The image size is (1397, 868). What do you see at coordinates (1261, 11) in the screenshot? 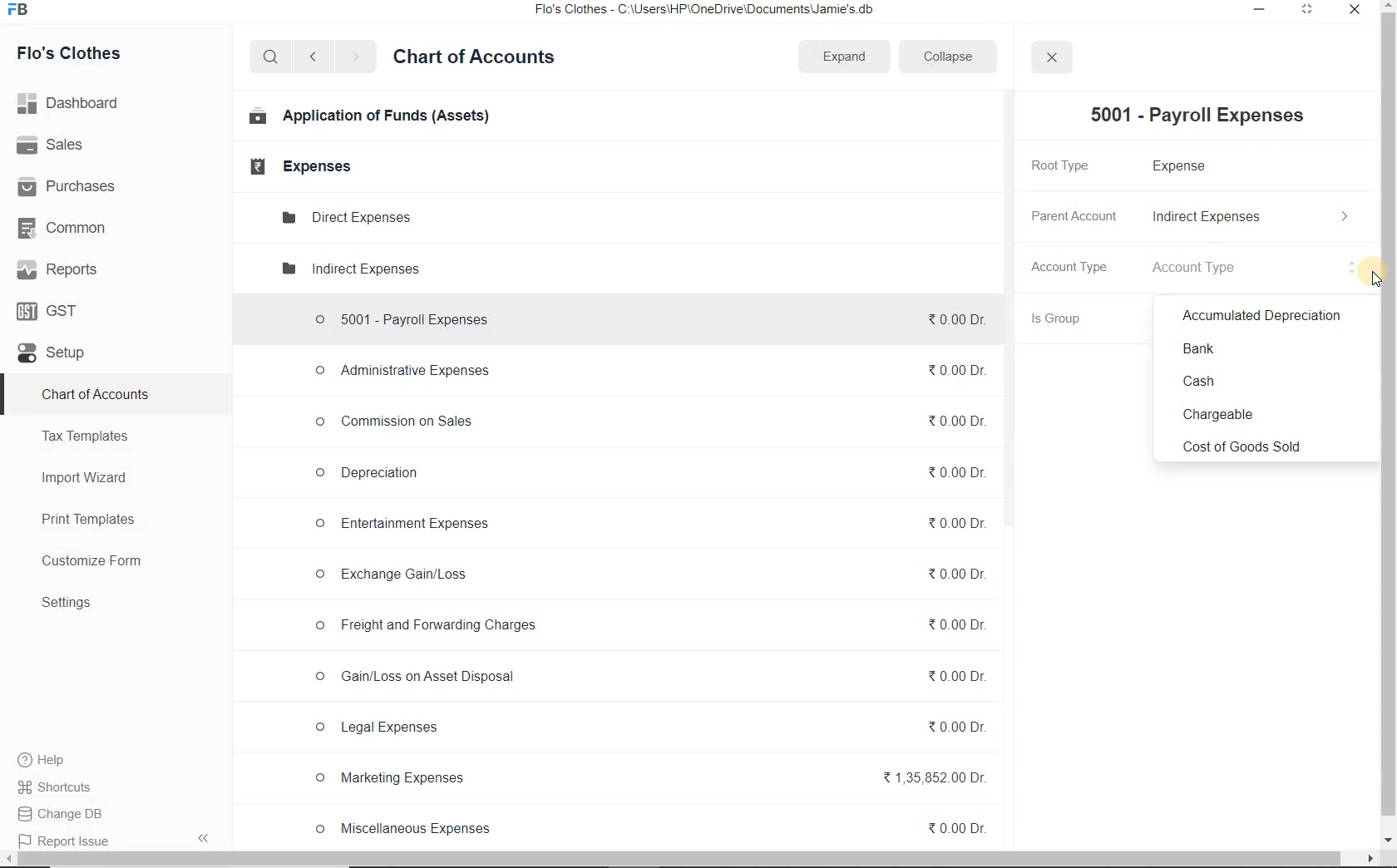
I see `minimize` at bounding box center [1261, 11].